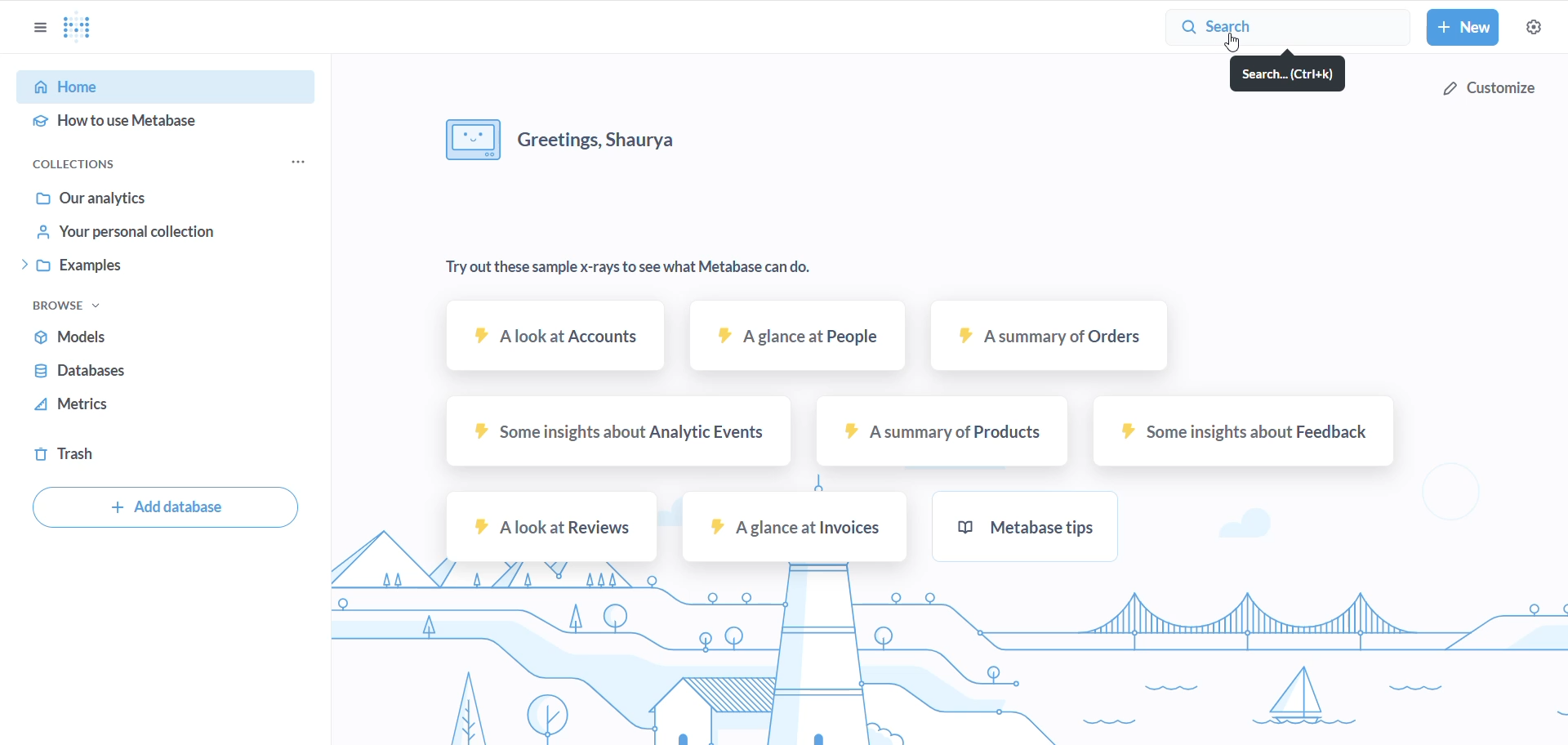 This screenshot has width=1568, height=745. Describe the element at coordinates (621, 146) in the screenshot. I see `greeting messages` at that location.